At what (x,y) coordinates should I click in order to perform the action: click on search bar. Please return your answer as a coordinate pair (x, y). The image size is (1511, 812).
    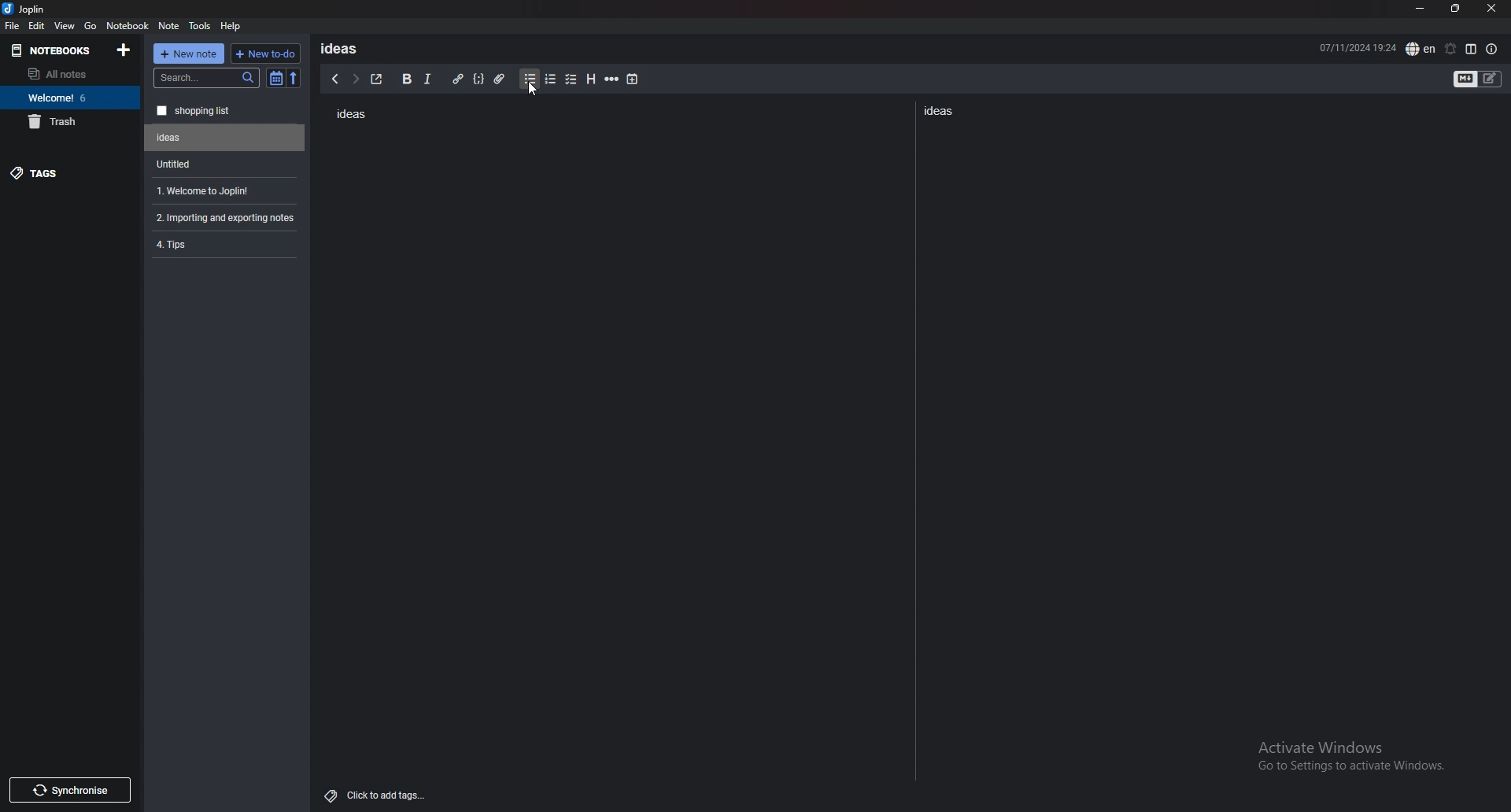
    Looking at the image, I should click on (207, 78).